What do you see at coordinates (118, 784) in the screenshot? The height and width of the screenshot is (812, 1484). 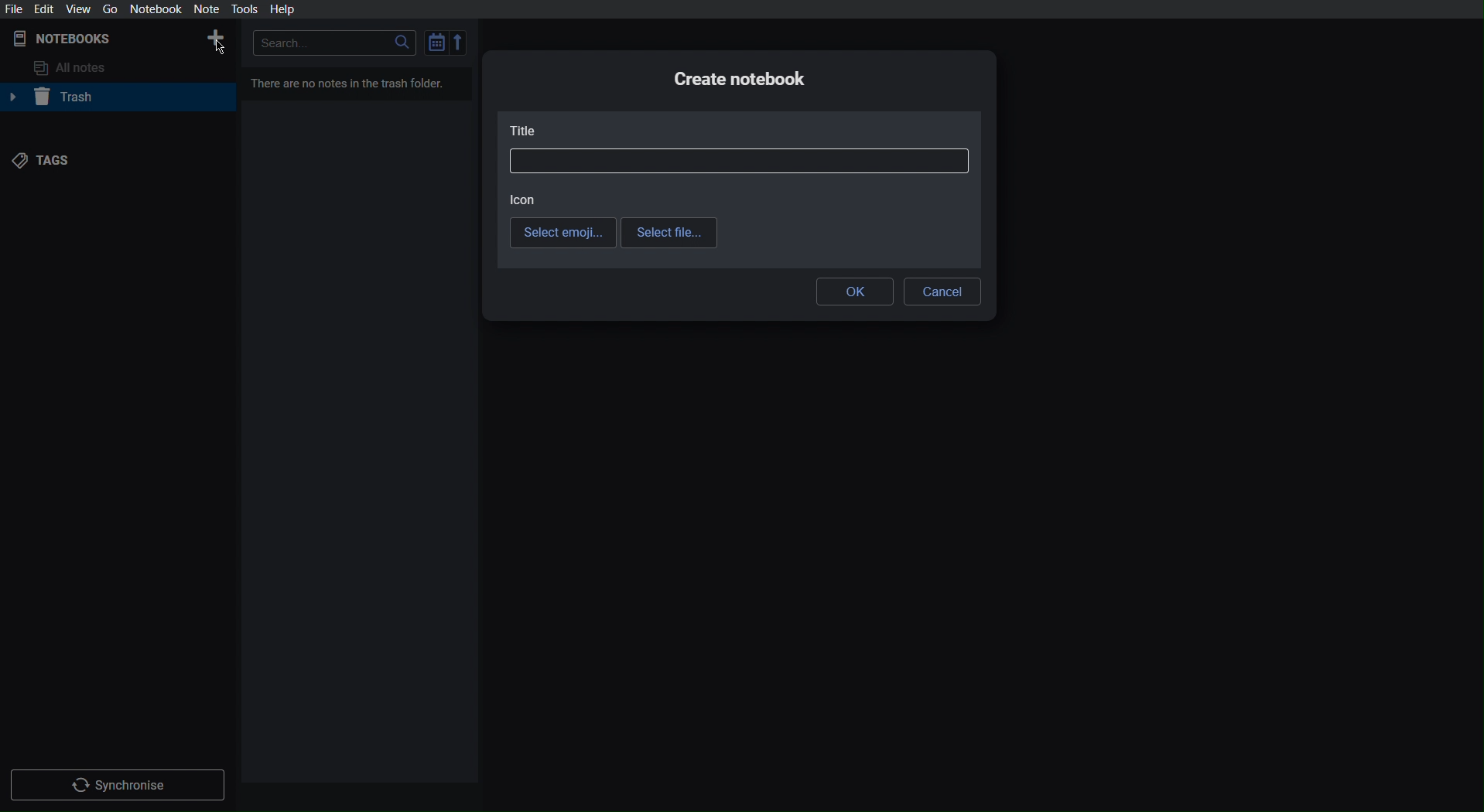 I see `Synchronize` at bounding box center [118, 784].